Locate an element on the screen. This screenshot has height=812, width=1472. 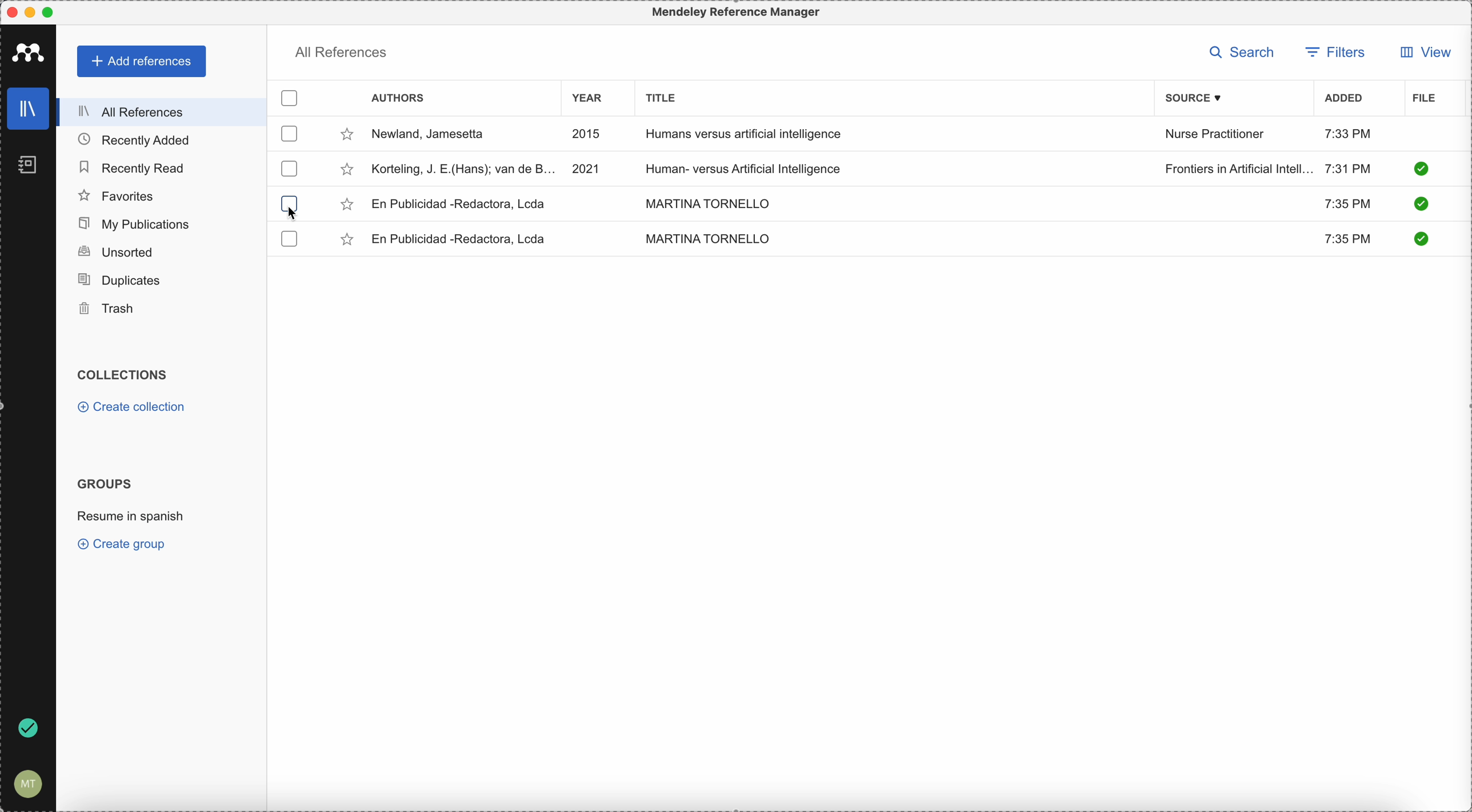
En Publicidad-Redactora, Lcda is located at coordinates (463, 239).